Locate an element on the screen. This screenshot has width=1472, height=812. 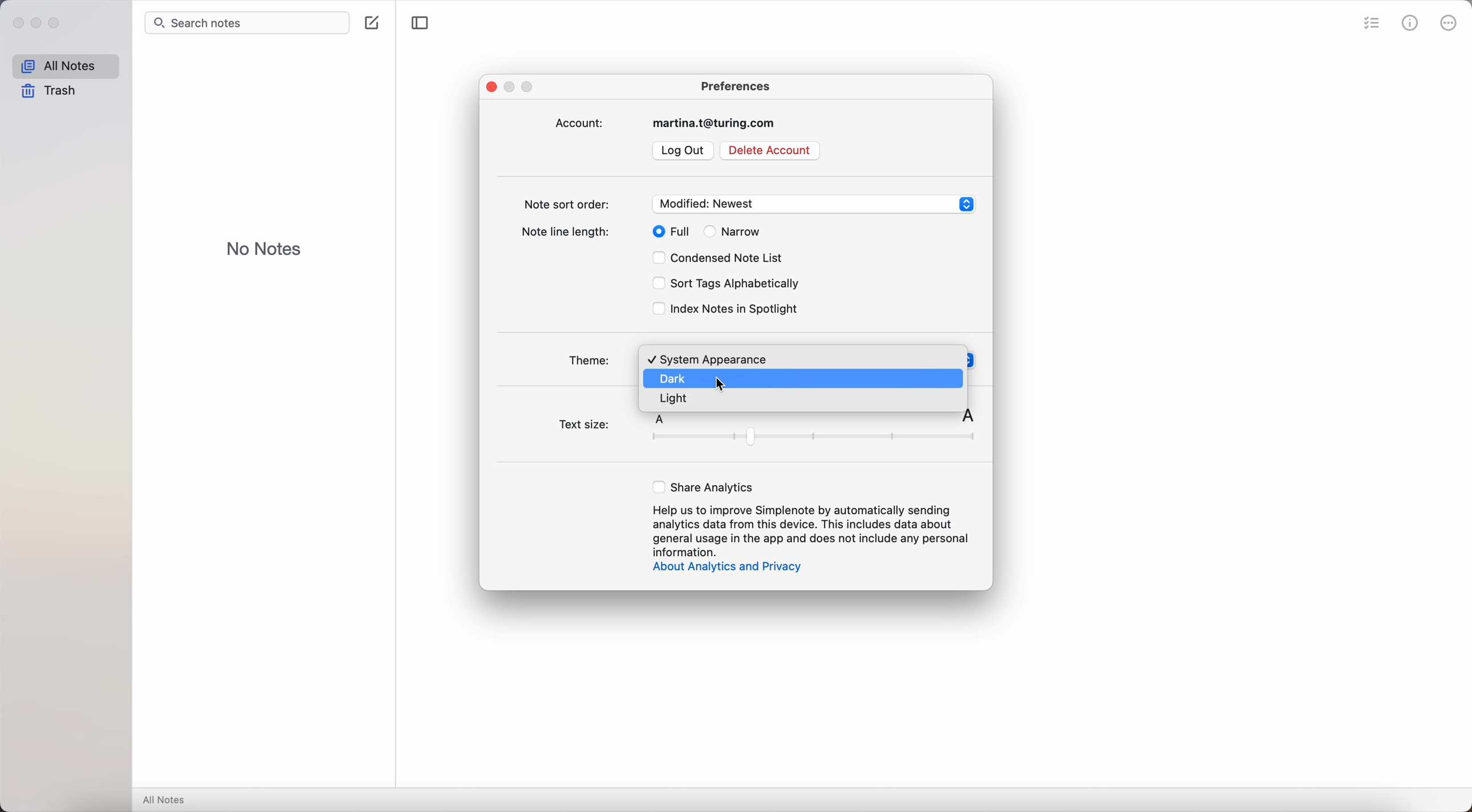
share analytics is located at coordinates (705, 486).